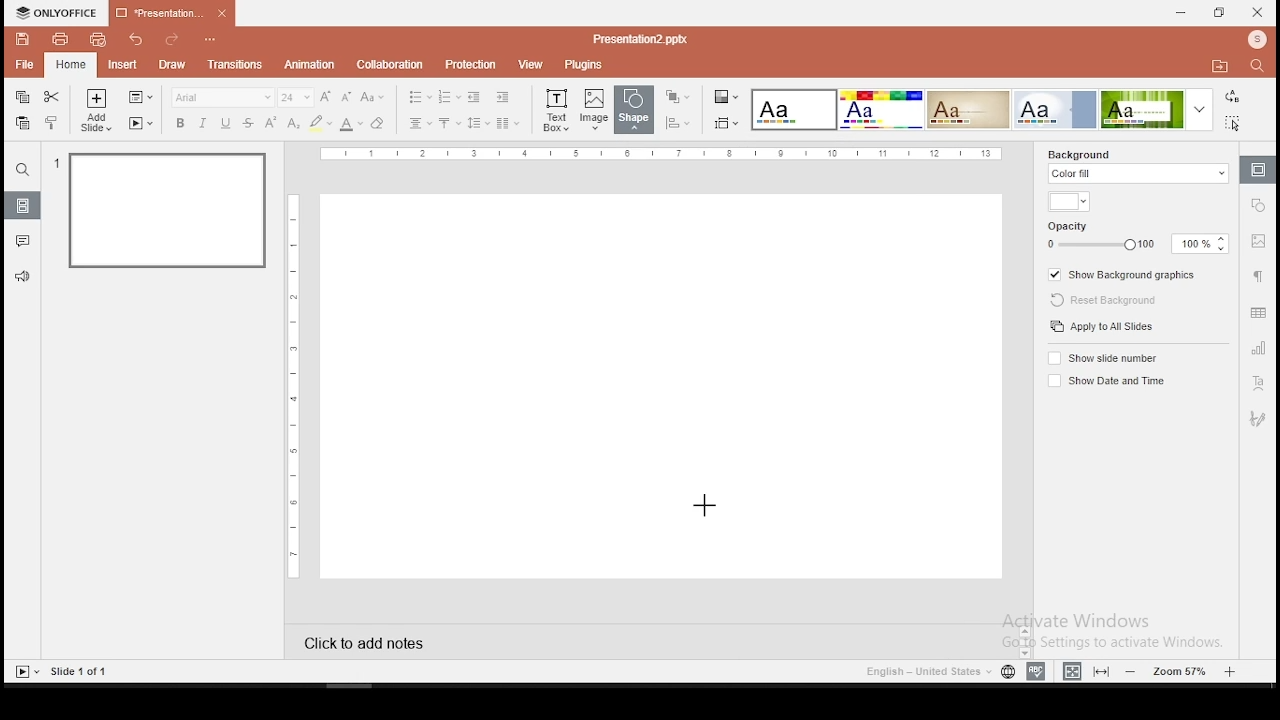  Describe the element at coordinates (528, 65) in the screenshot. I see `view` at that location.